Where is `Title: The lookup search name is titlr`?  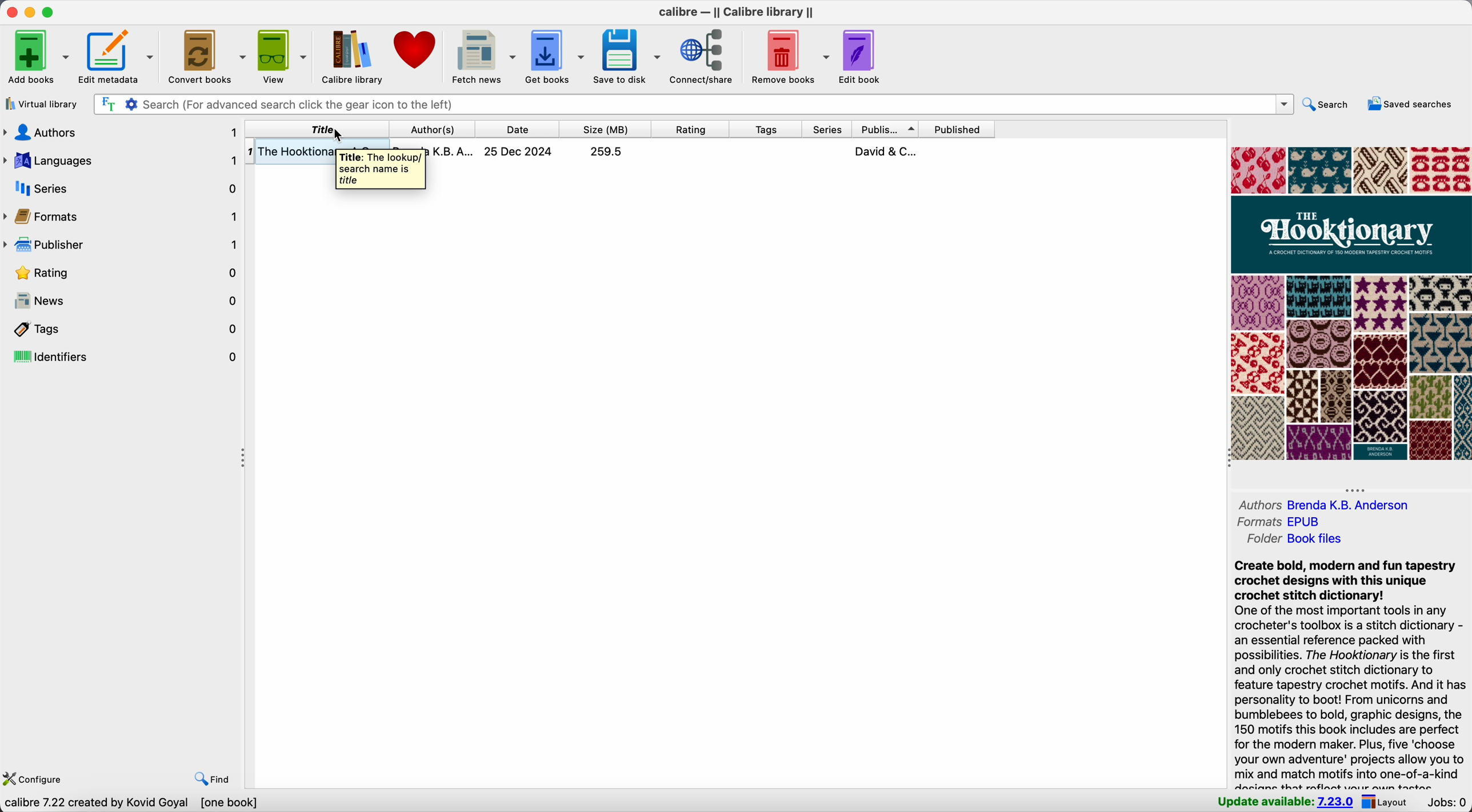 Title: The lookup search name is titlr is located at coordinates (380, 169).